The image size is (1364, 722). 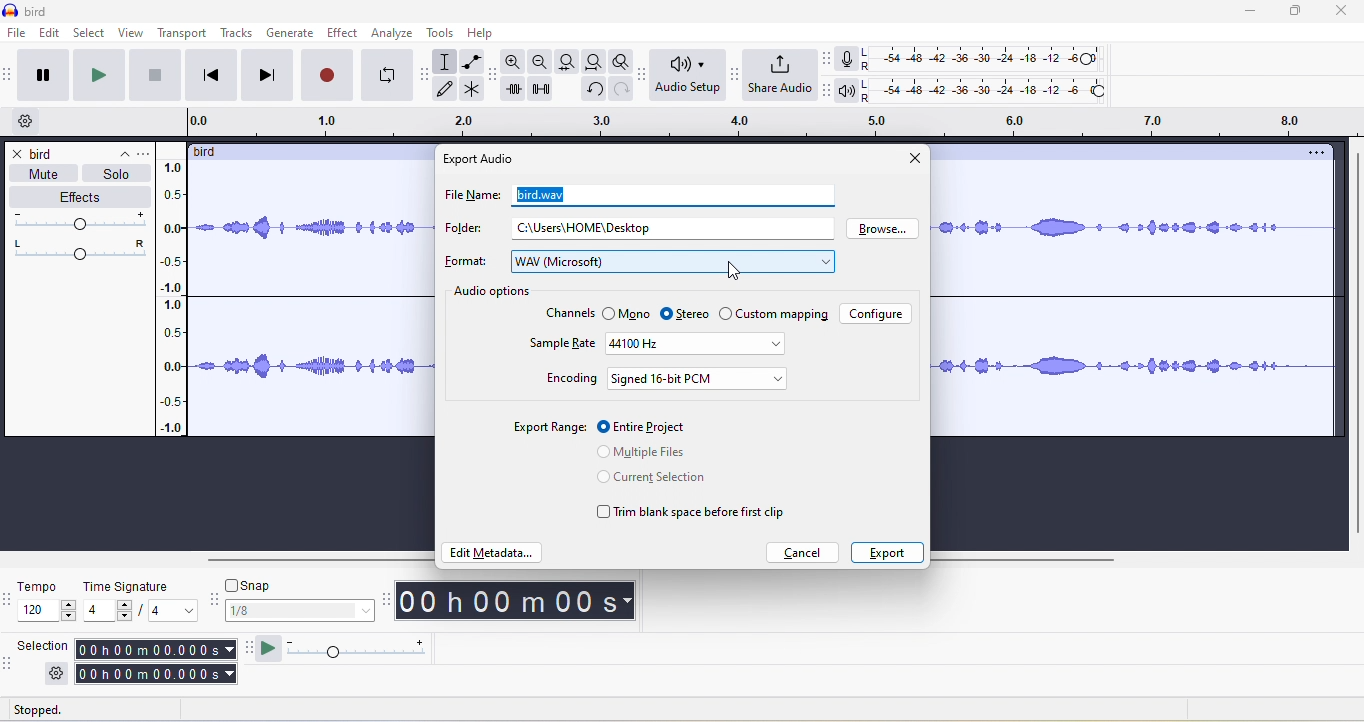 I want to click on export, so click(x=886, y=552).